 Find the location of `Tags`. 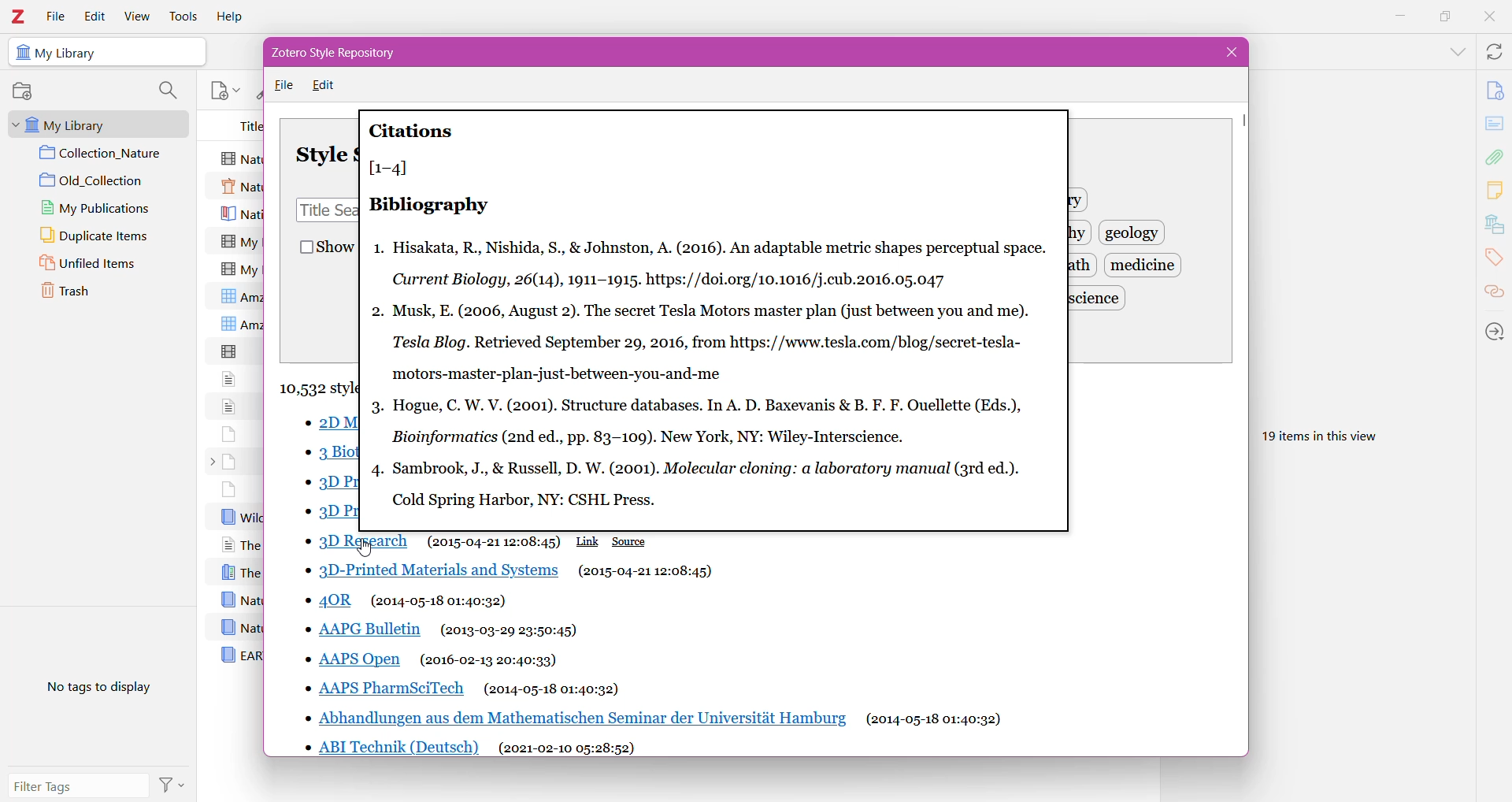

Tags is located at coordinates (1495, 260).